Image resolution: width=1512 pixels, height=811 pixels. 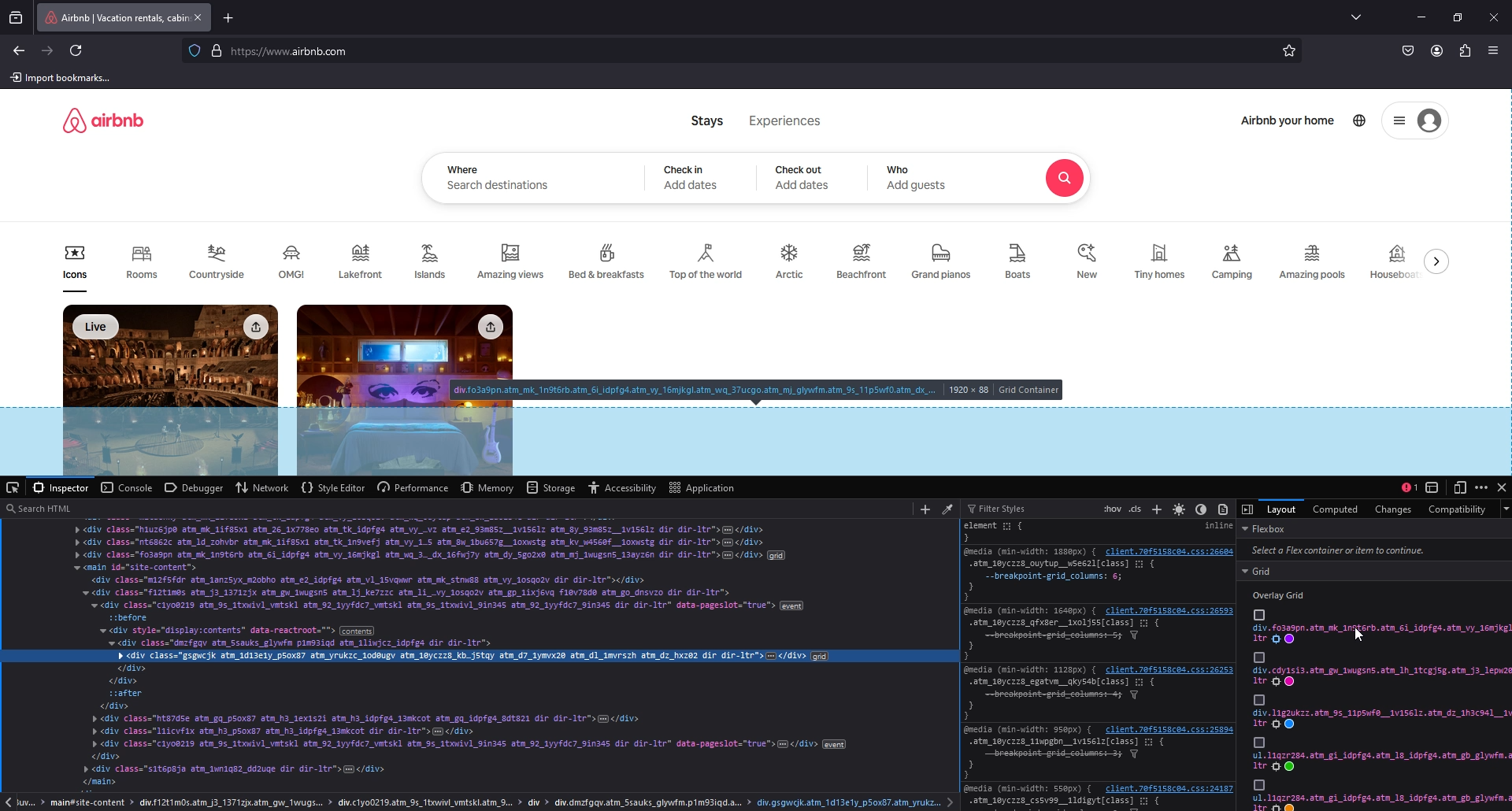 What do you see at coordinates (1458, 509) in the screenshot?
I see `compatibility` at bounding box center [1458, 509].